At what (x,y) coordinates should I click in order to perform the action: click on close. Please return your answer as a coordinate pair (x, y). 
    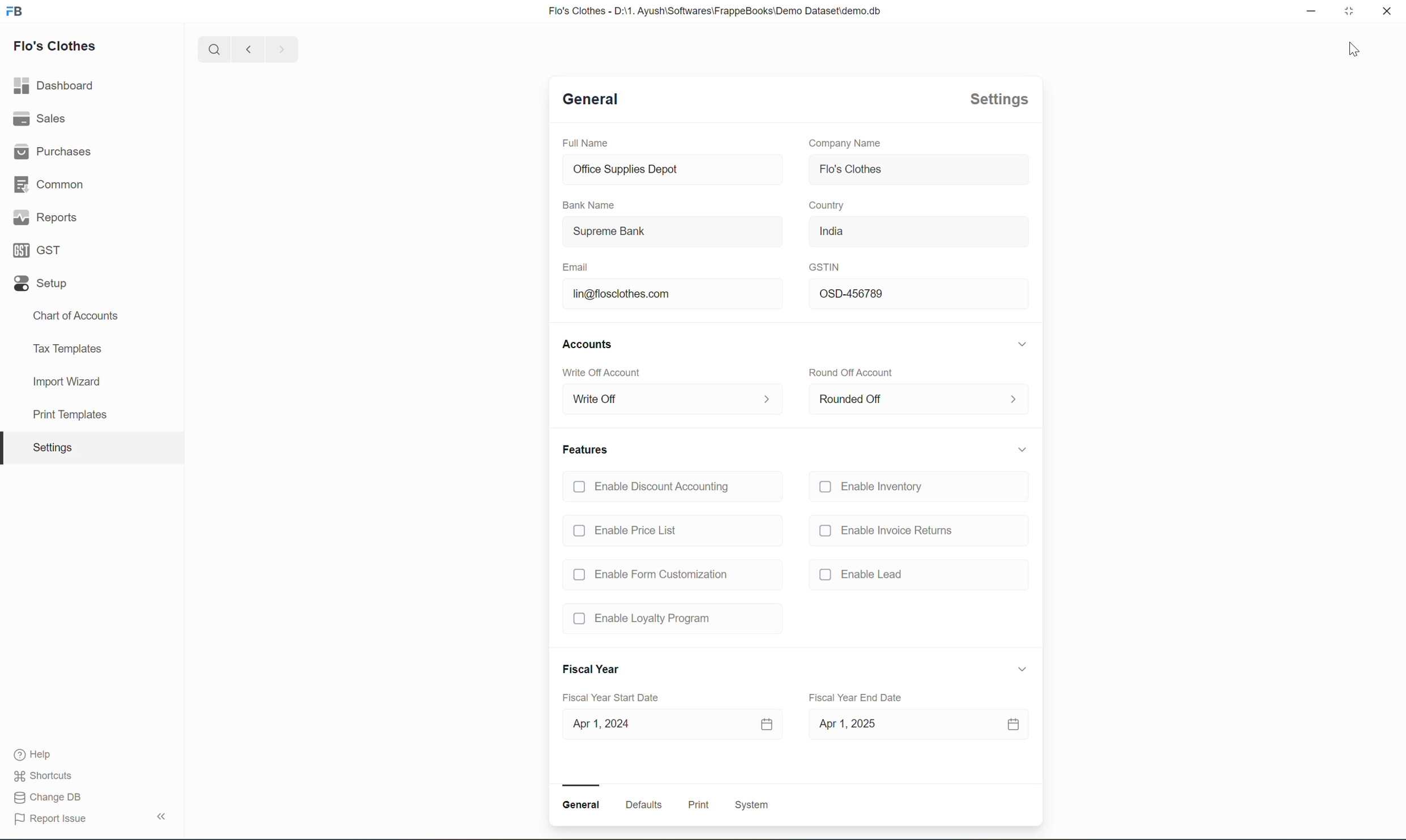
    Looking at the image, I should click on (1386, 10).